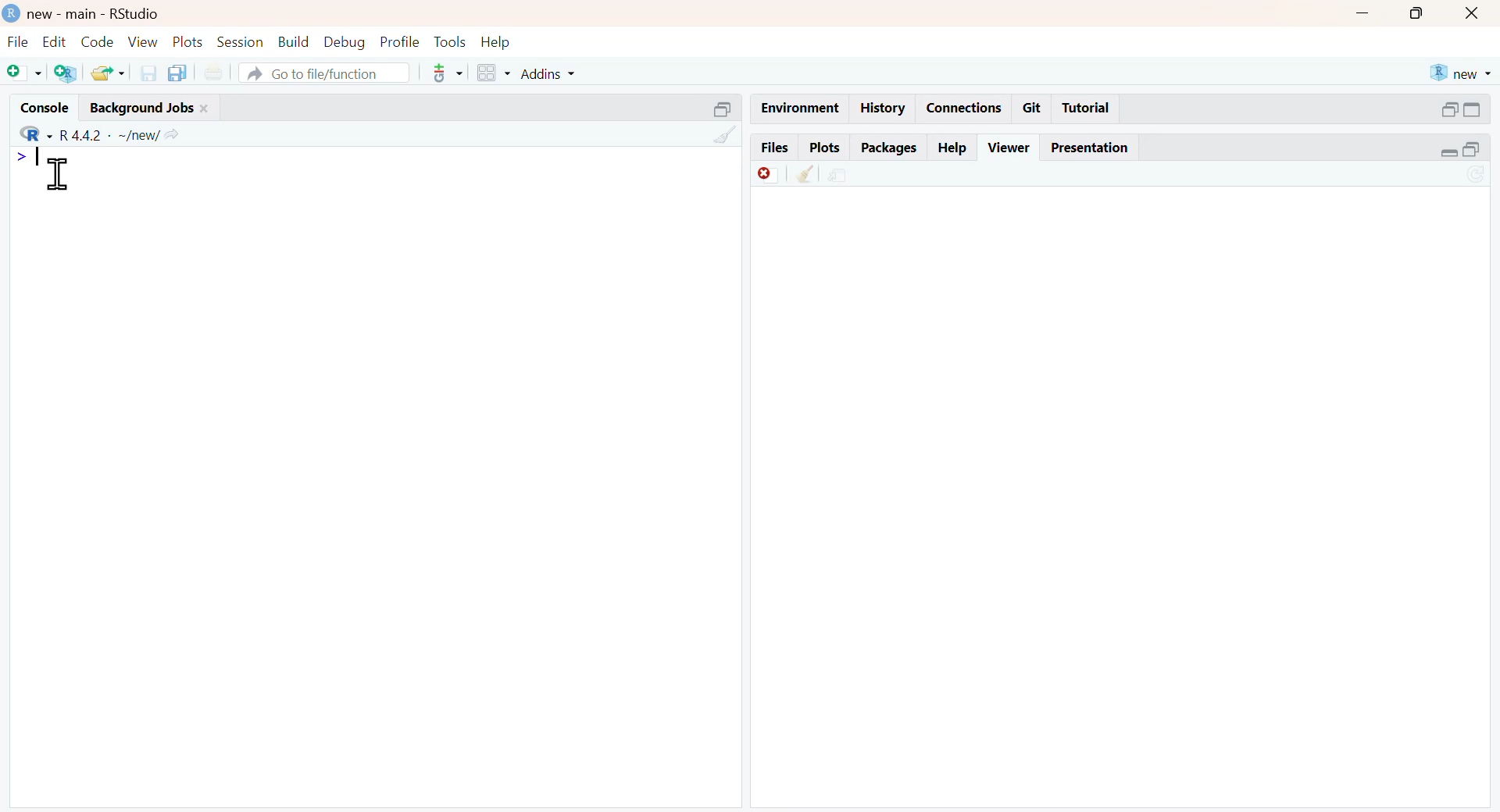  Describe the element at coordinates (950, 148) in the screenshot. I see `Help` at that location.